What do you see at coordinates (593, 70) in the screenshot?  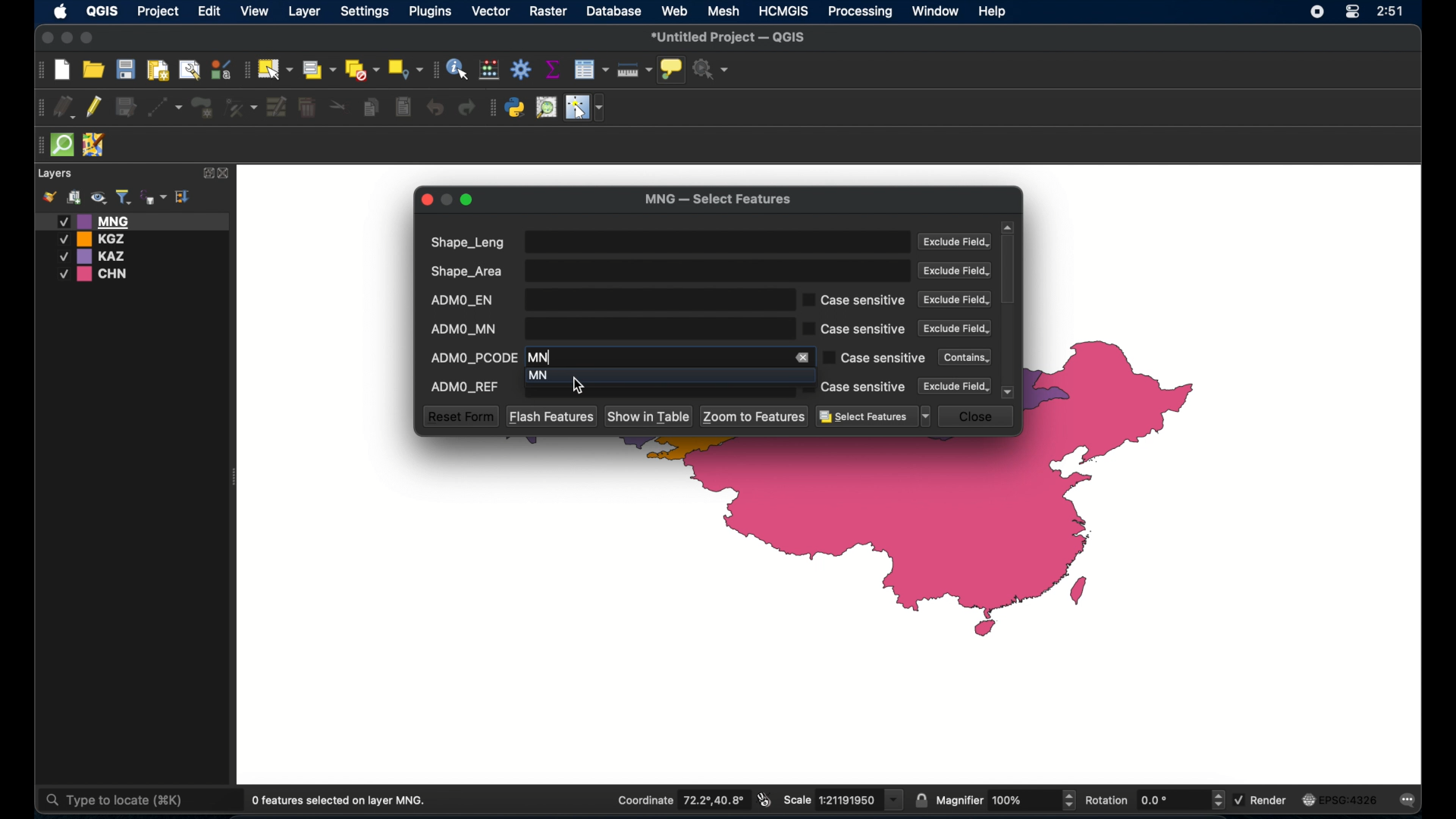 I see `open attribute table` at bounding box center [593, 70].